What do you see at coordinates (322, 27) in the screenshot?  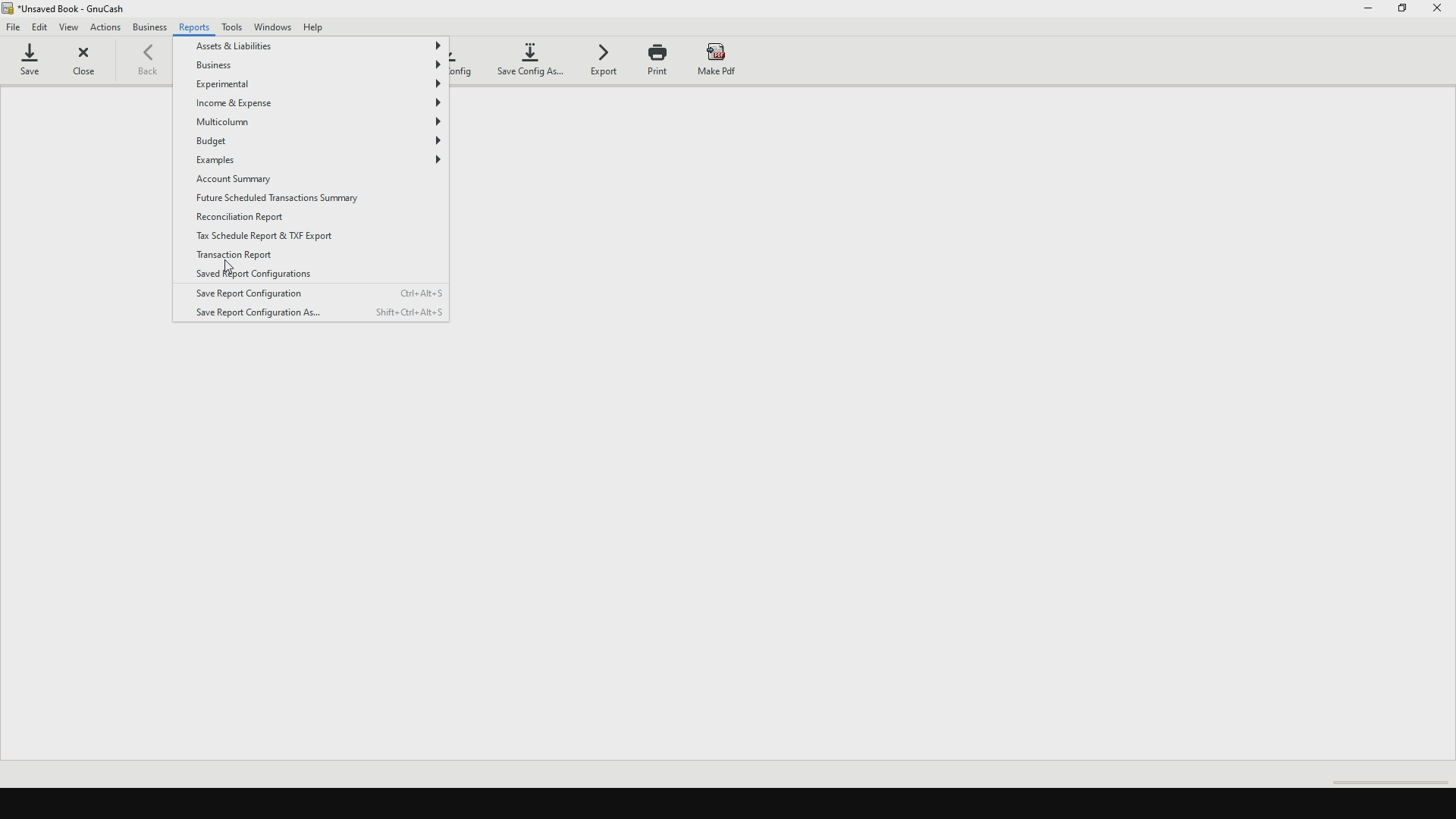 I see `help` at bounding box center [322, 27].